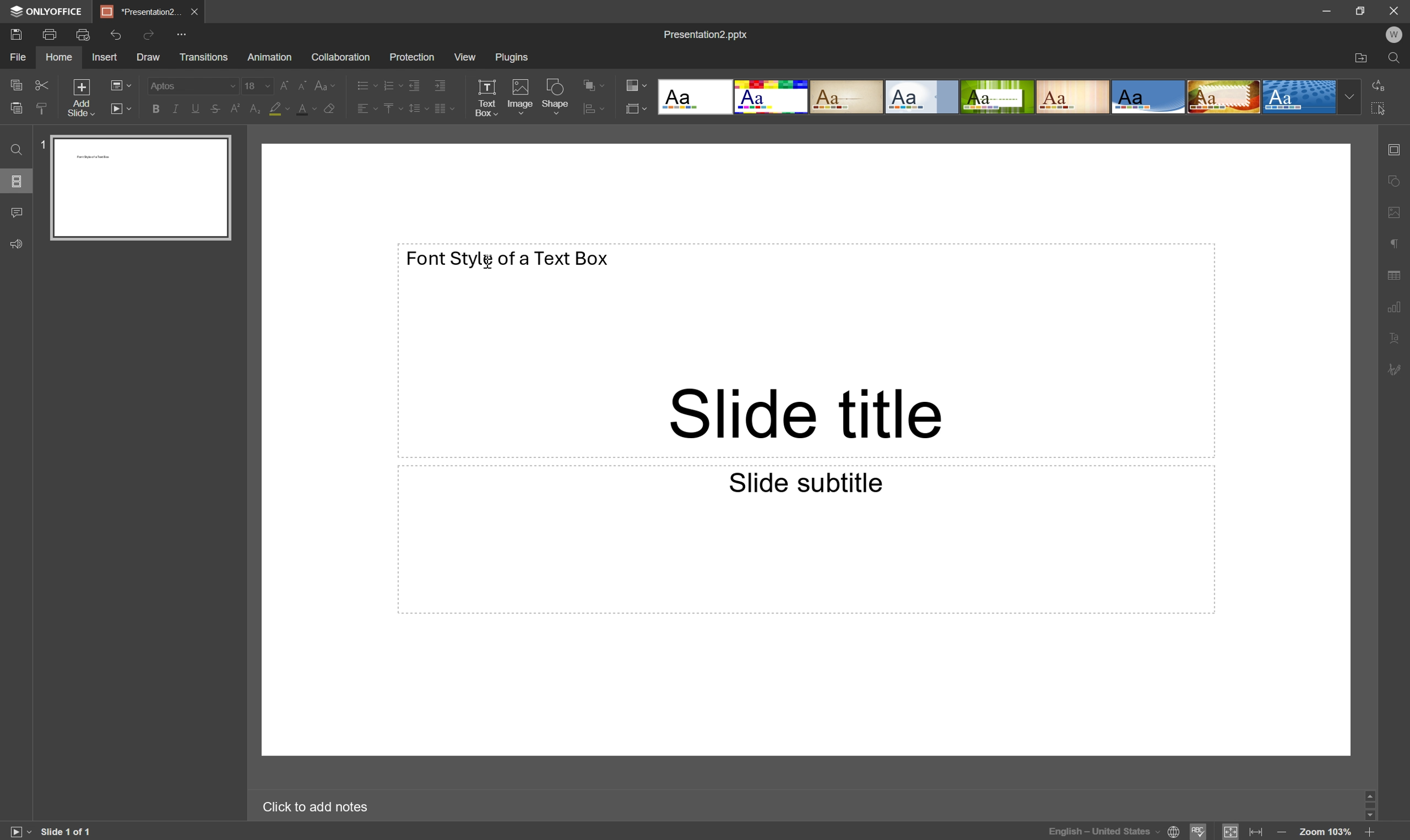 This screenshot has height=840, width=1410. I want to click on Zoom out, so click(1280, 832).